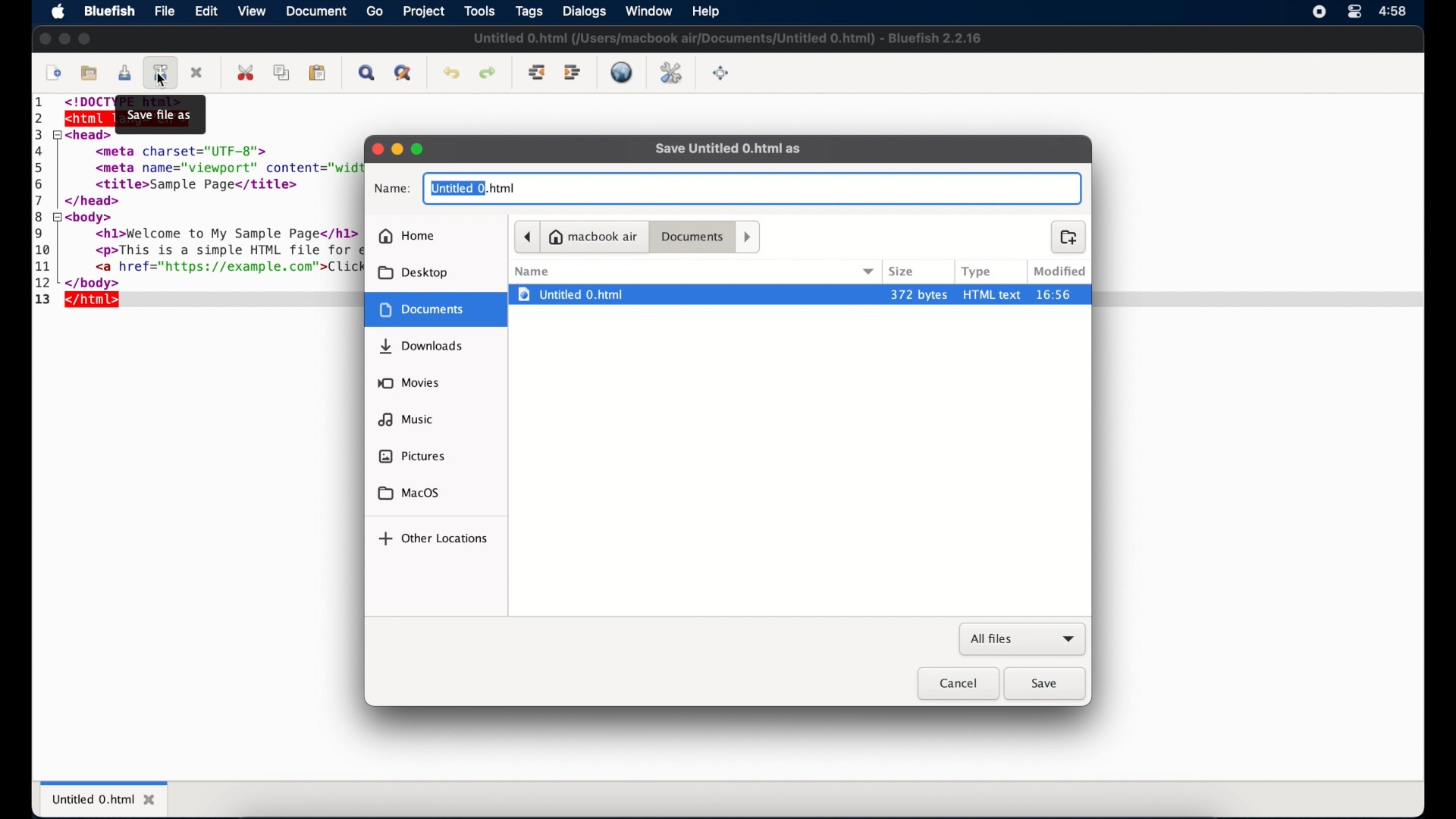 The height and width of the screenshot is (819, 1456). I want to click on paste, so click(318, 73).